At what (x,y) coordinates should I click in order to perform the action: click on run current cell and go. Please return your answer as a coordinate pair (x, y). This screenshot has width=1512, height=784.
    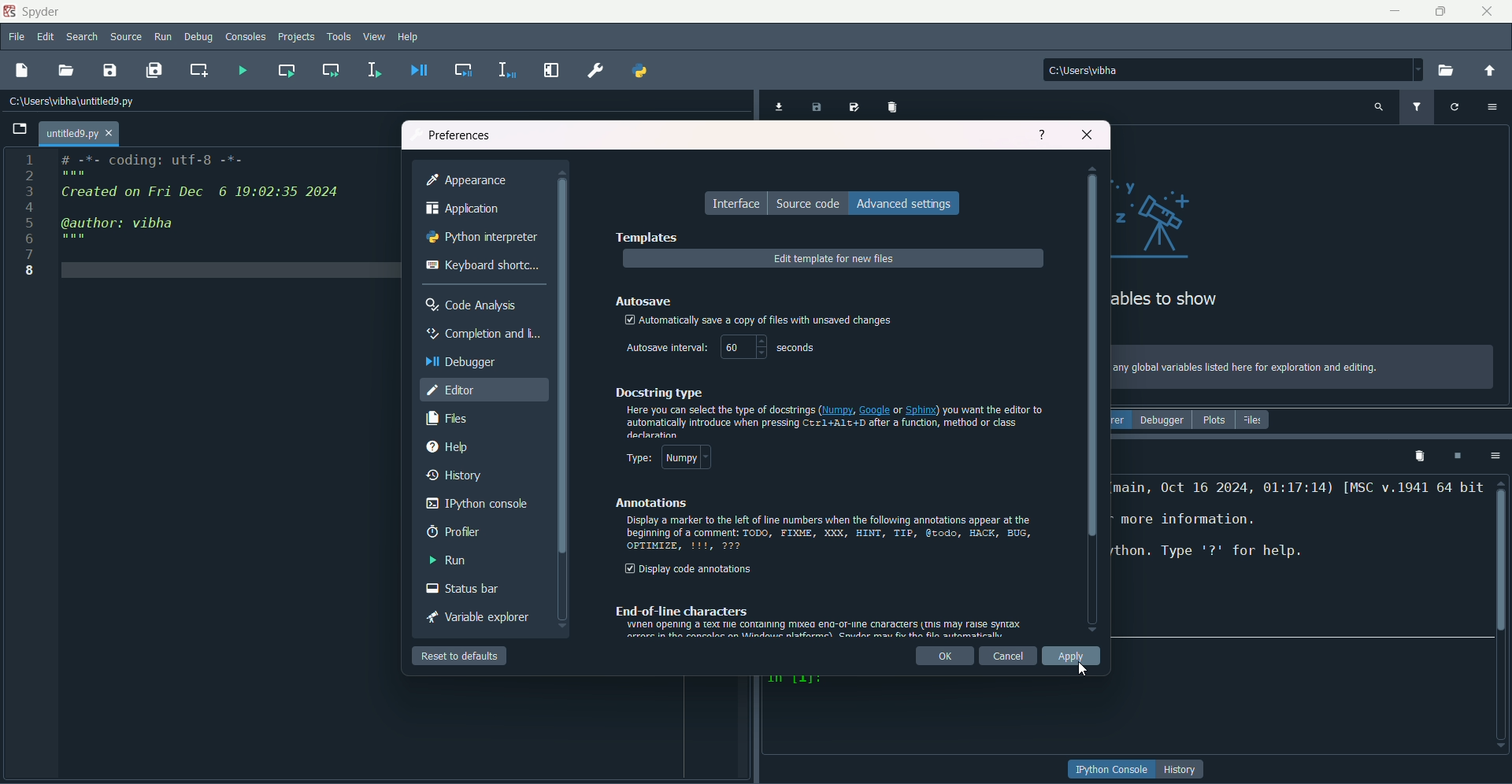
    Looking at the image, I should click on (330, 69).